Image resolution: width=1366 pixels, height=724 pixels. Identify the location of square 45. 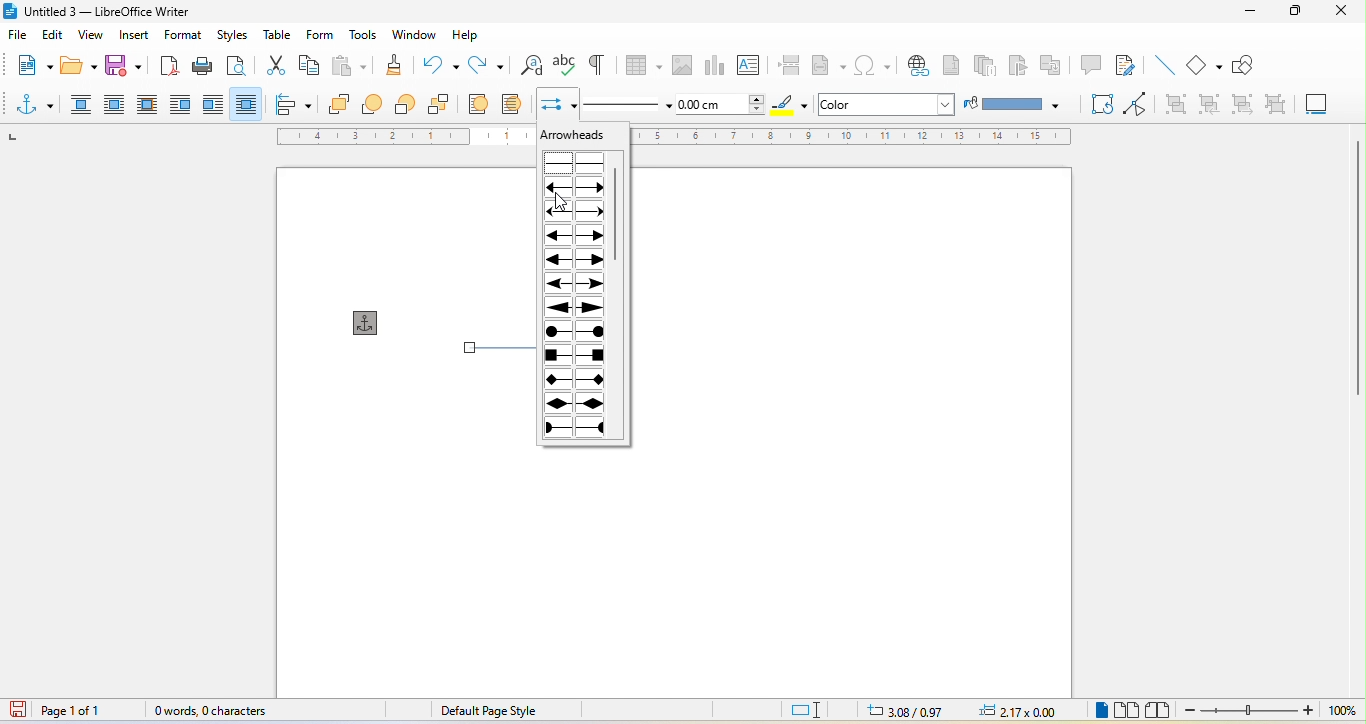
(577, 378).